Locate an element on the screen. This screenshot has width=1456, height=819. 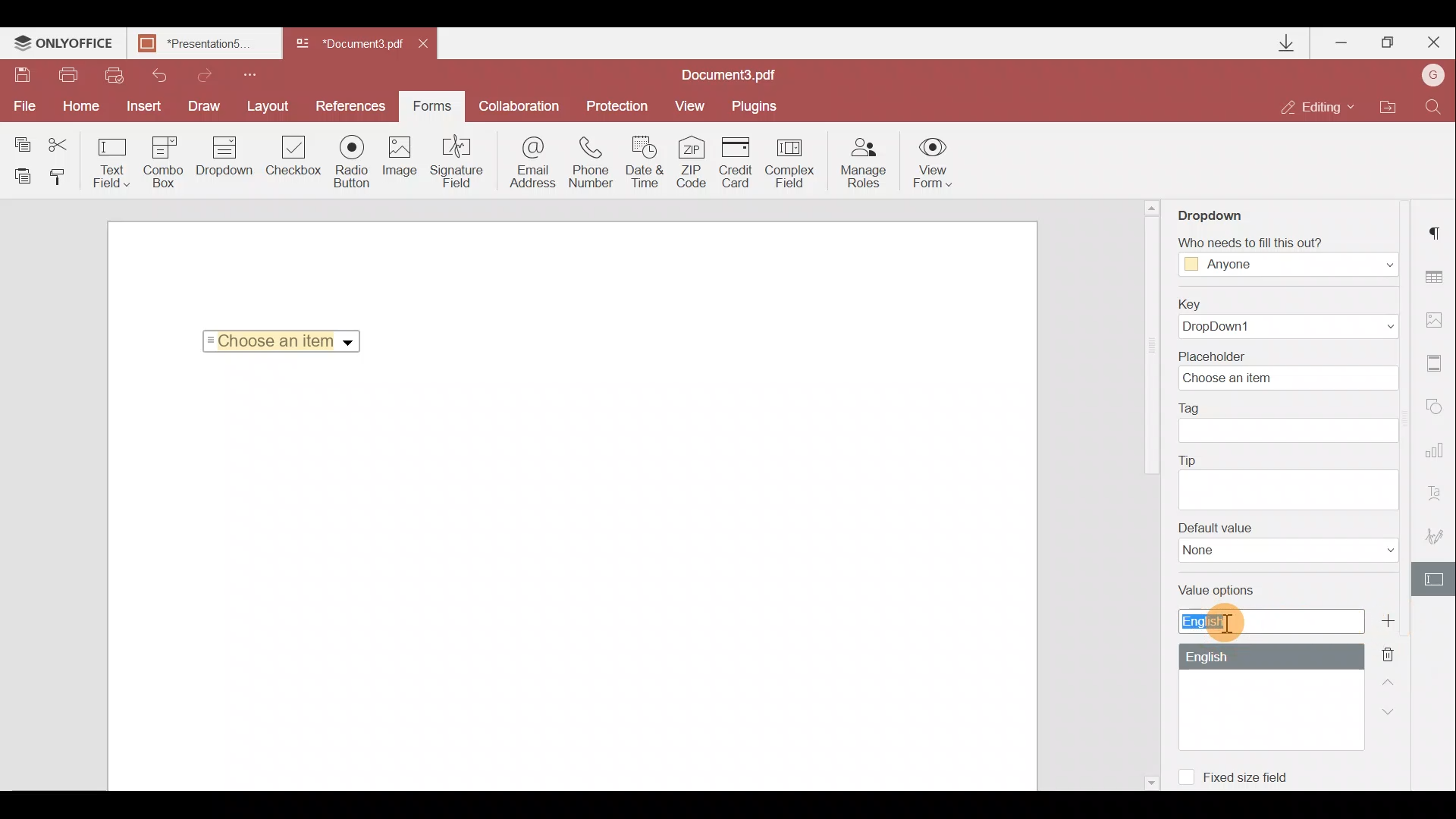
Who needs to fill this out? is located at coordinates (1288, 252).